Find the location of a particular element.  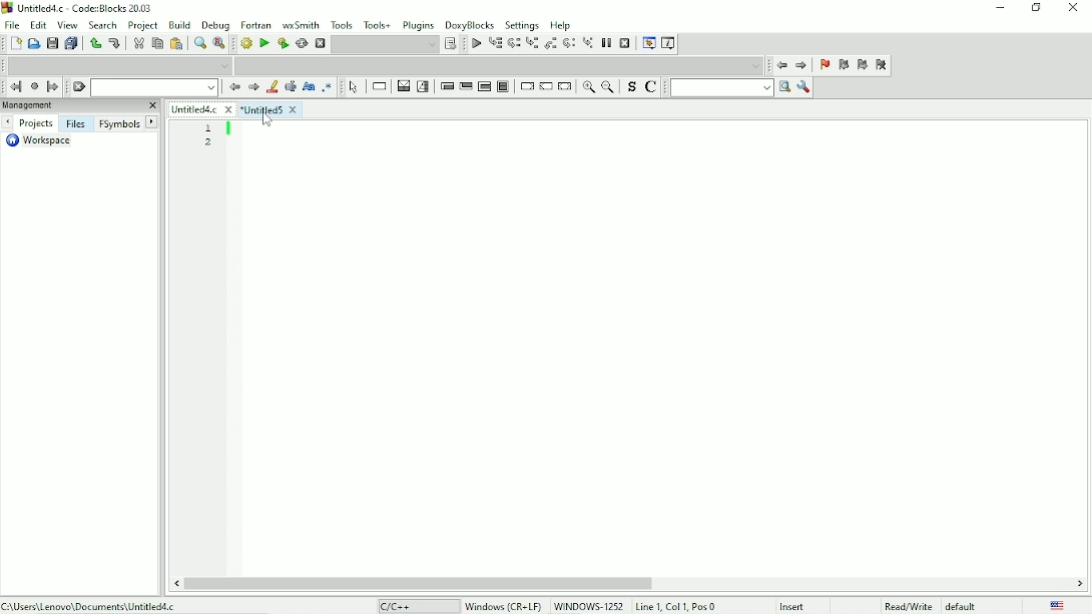

wxSmith is located at coordinates (300, 25).